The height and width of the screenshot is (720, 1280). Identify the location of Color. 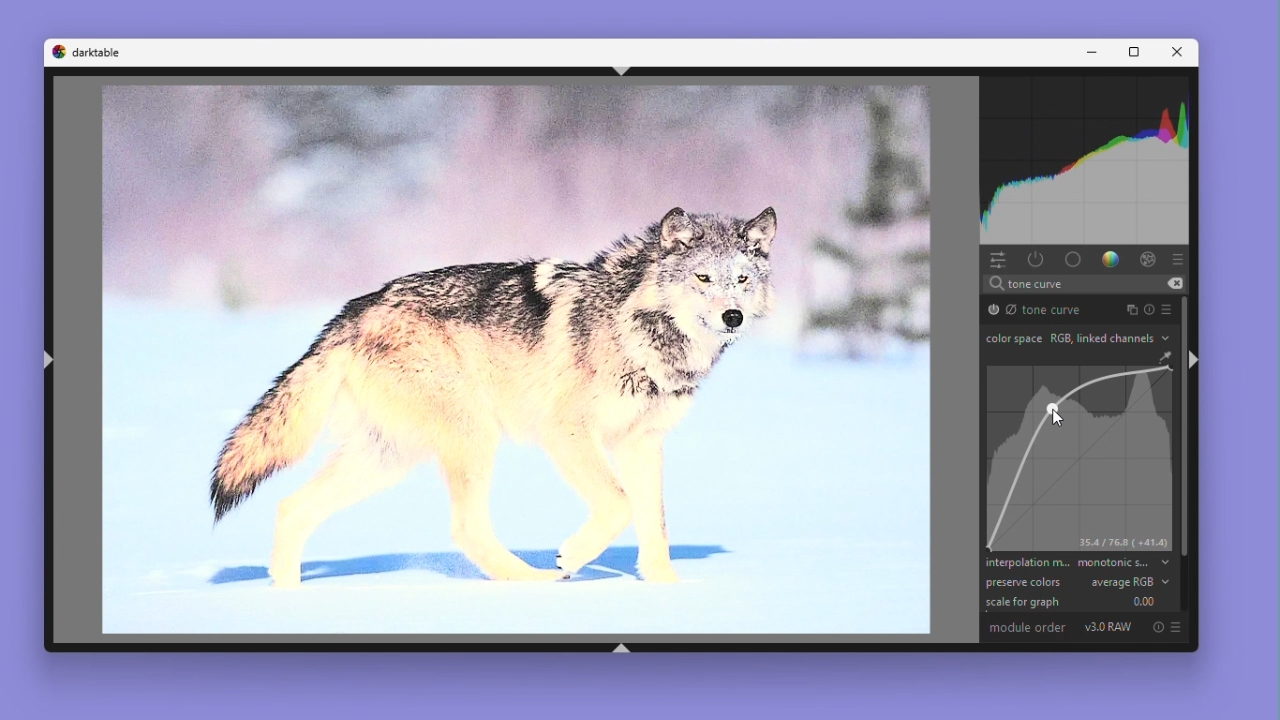
(1111, 261).